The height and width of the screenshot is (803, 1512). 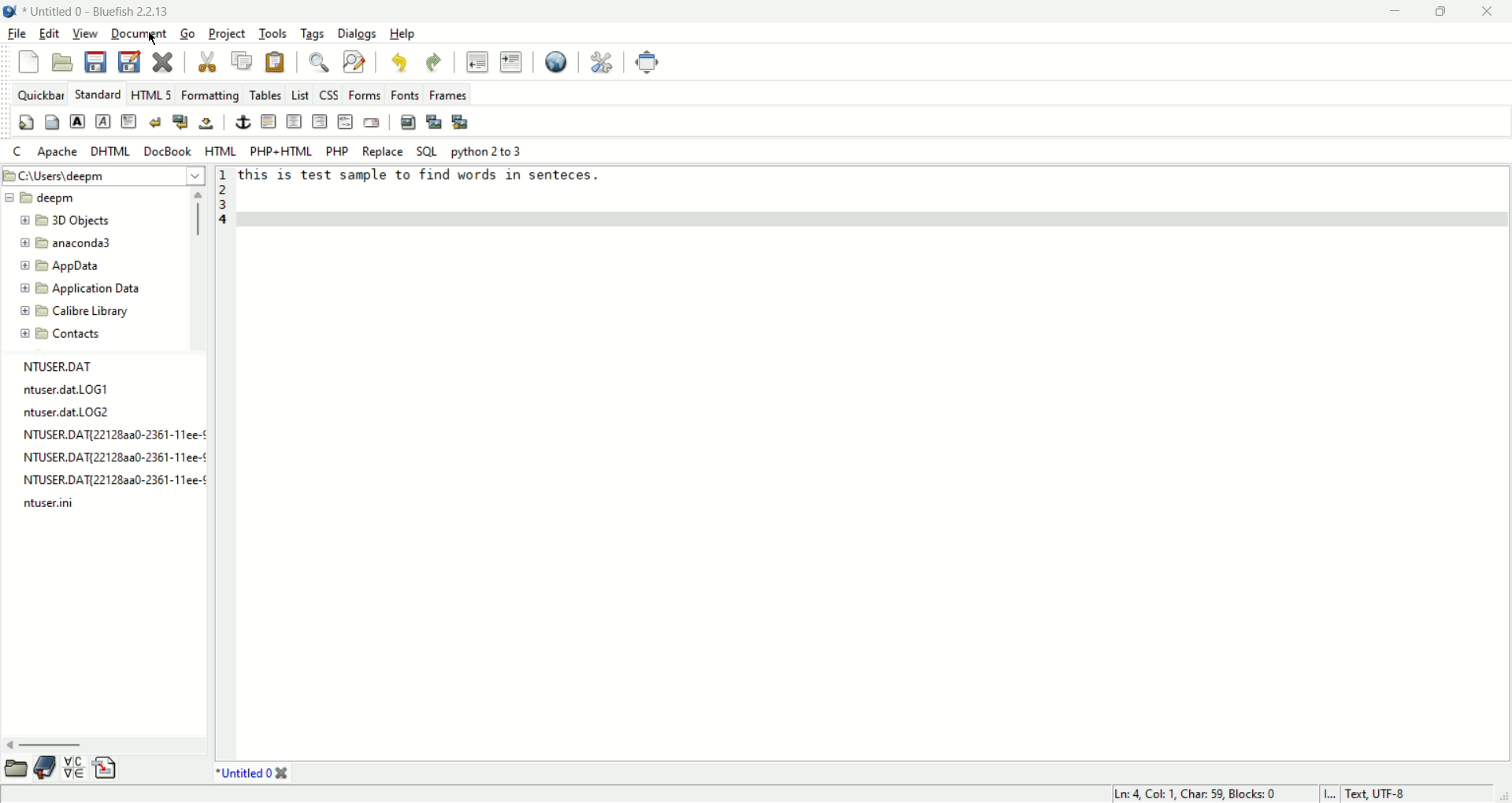 What do you see at coordinates (104, 176) in the screenshot?
I see `C:\Users\deepm` at bounding box center [104, 176].